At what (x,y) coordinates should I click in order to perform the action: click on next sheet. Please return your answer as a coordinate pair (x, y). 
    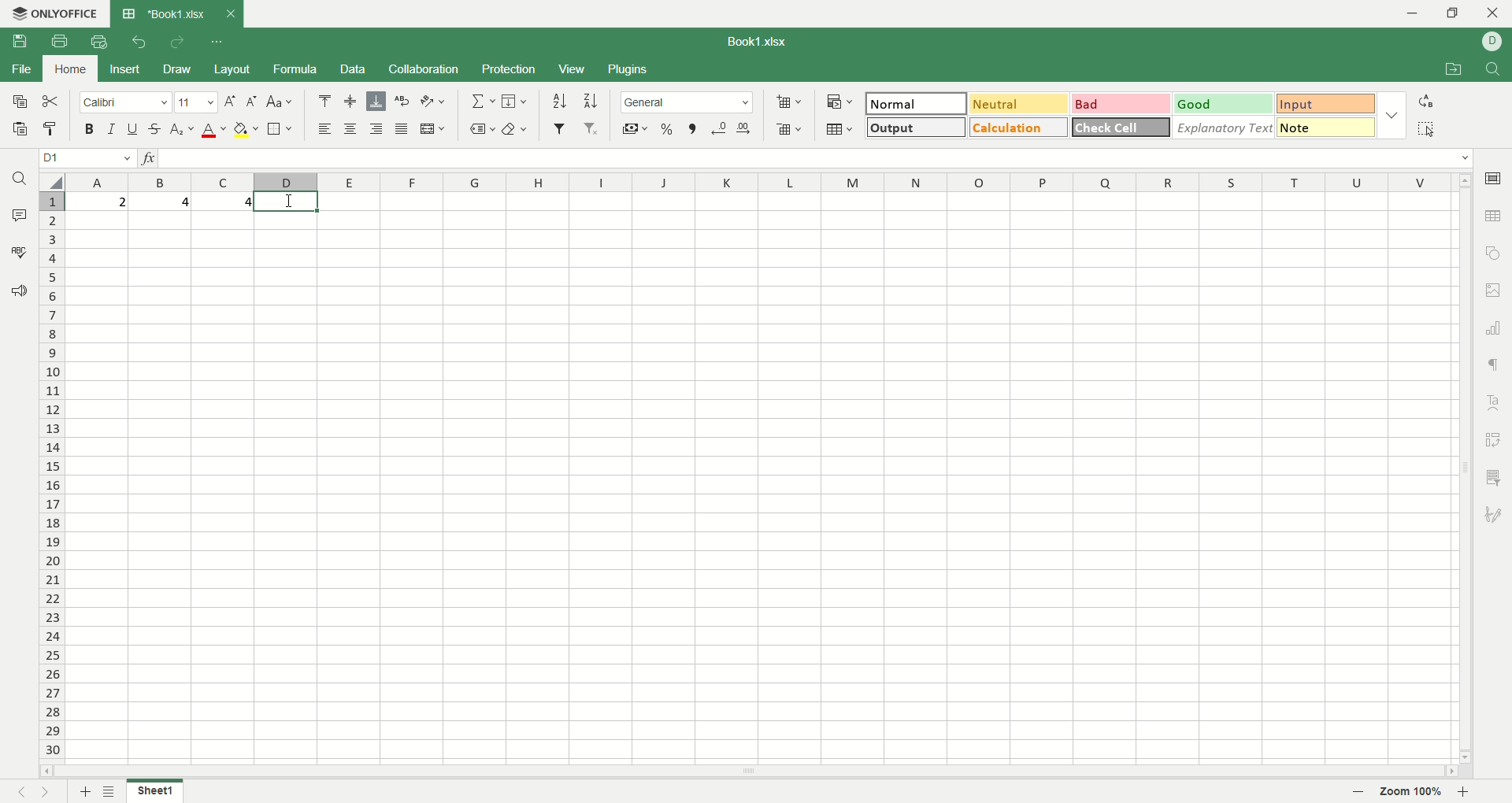
    Looking at the image, I should click on (46, 792).